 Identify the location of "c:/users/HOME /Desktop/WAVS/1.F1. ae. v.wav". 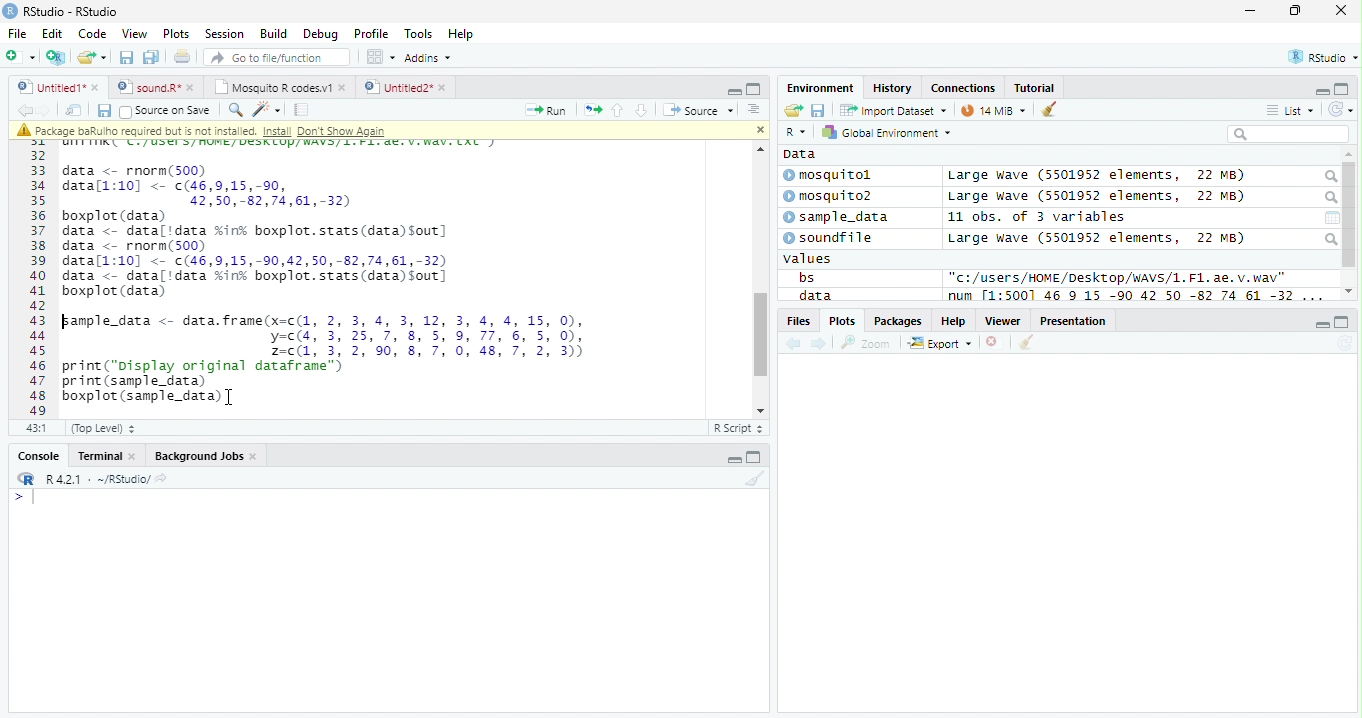
(1118, 277).